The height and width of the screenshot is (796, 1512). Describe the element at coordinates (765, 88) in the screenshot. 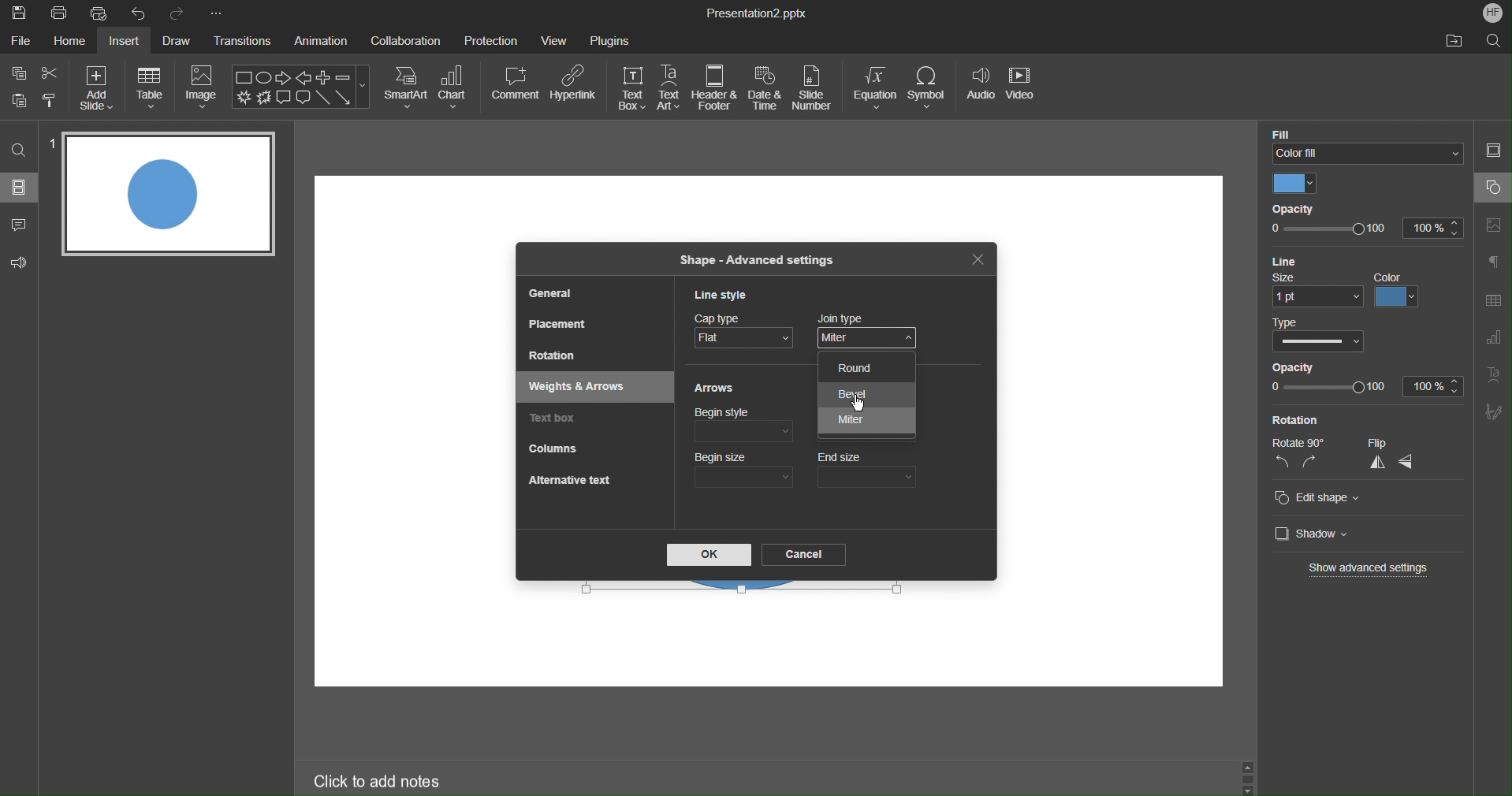

I see `Date & Time` at that location.